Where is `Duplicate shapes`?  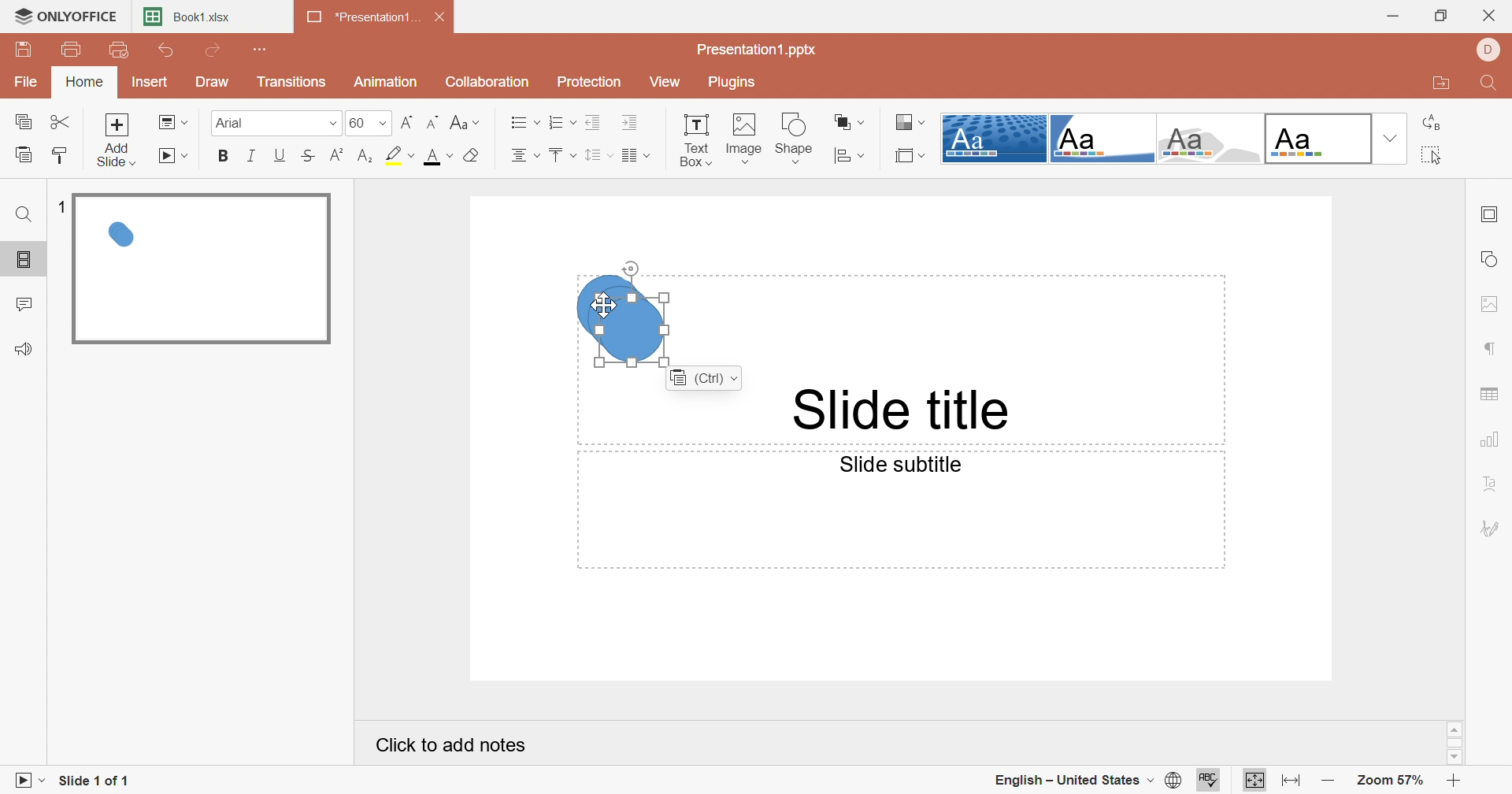 Duplicate shapes is located at coordinates (624, 321).